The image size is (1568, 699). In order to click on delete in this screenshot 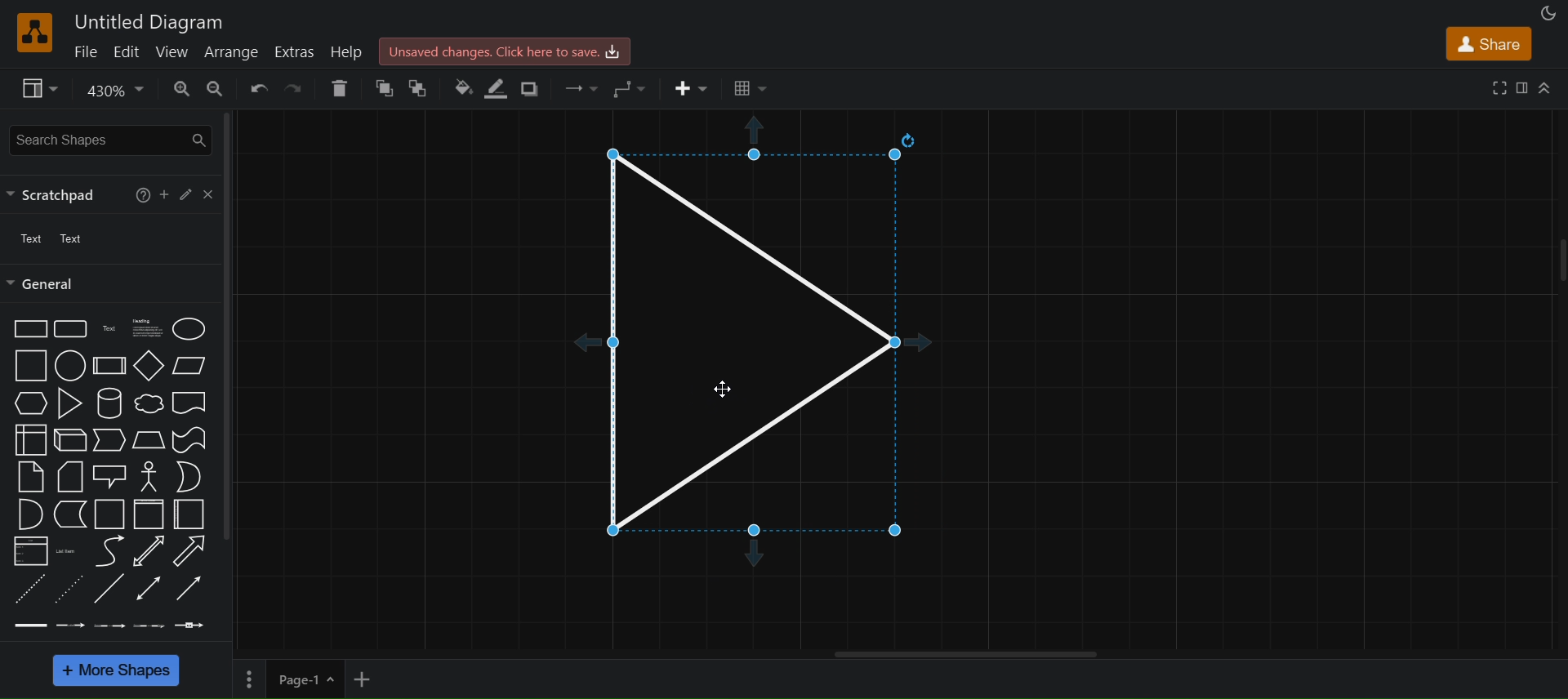, I will do `click(338, 88)`.